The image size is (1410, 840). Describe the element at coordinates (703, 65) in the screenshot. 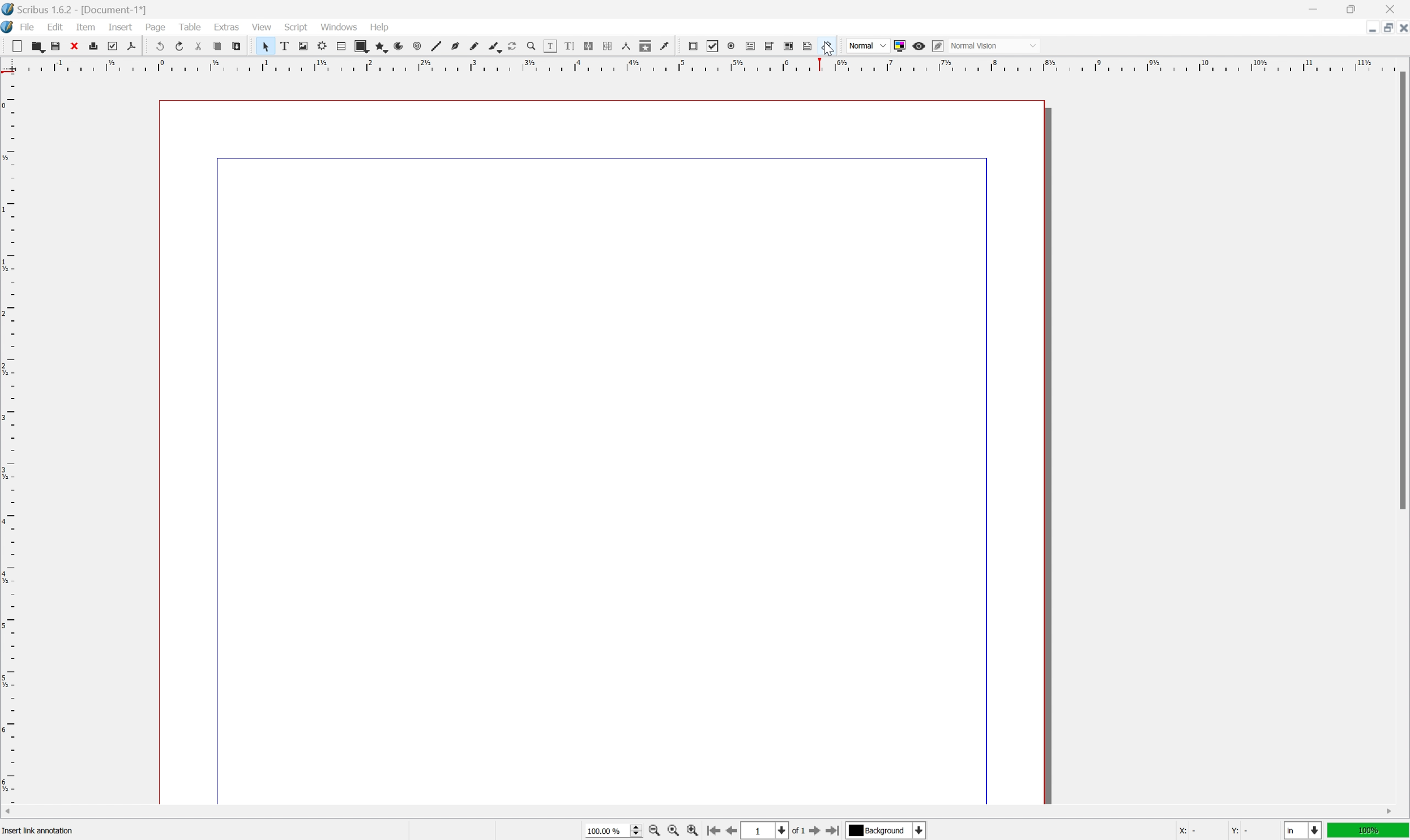

I see `ruler` at that location.